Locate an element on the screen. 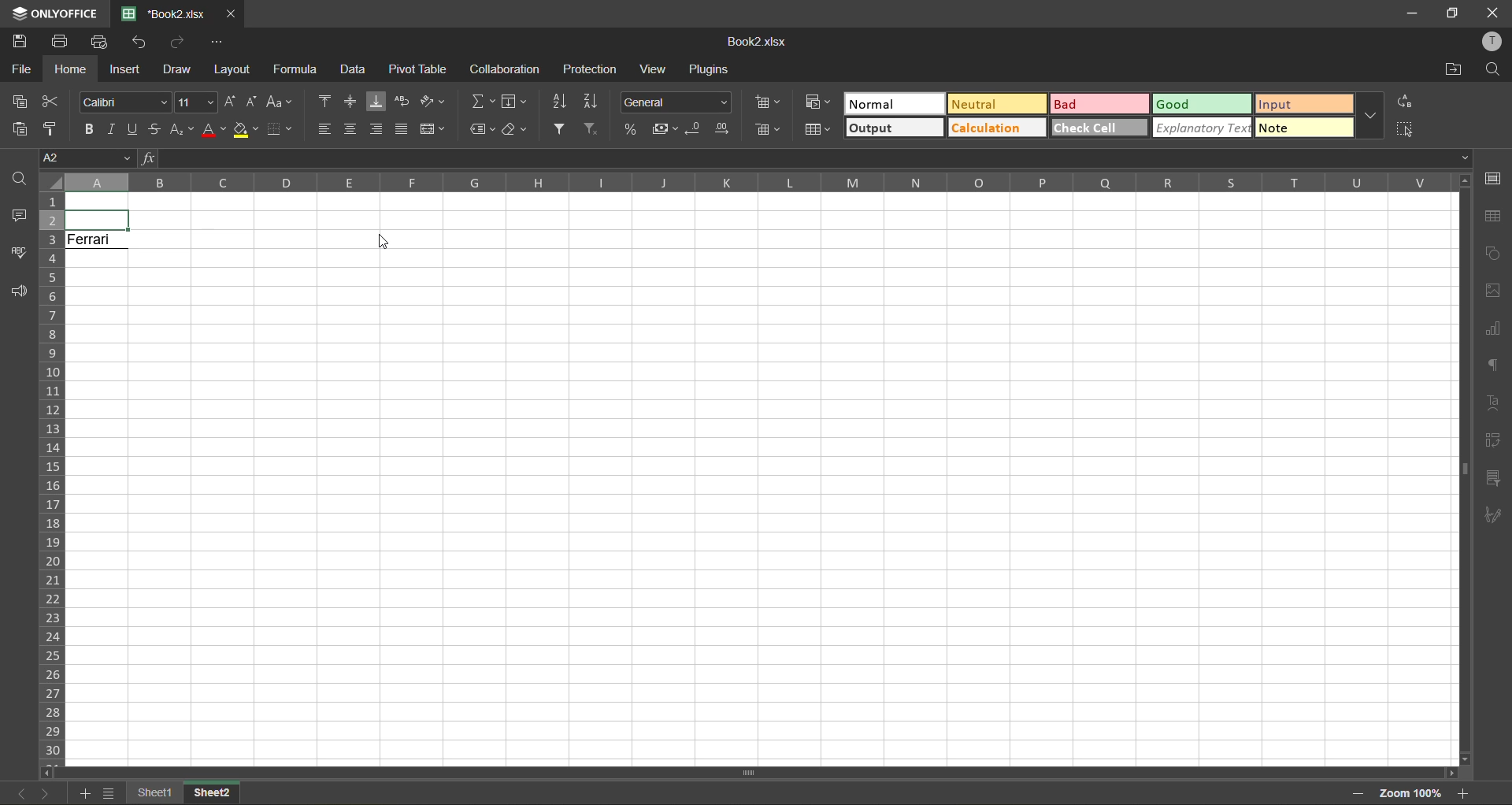  zoom out is located at coordinates (1358, 792).